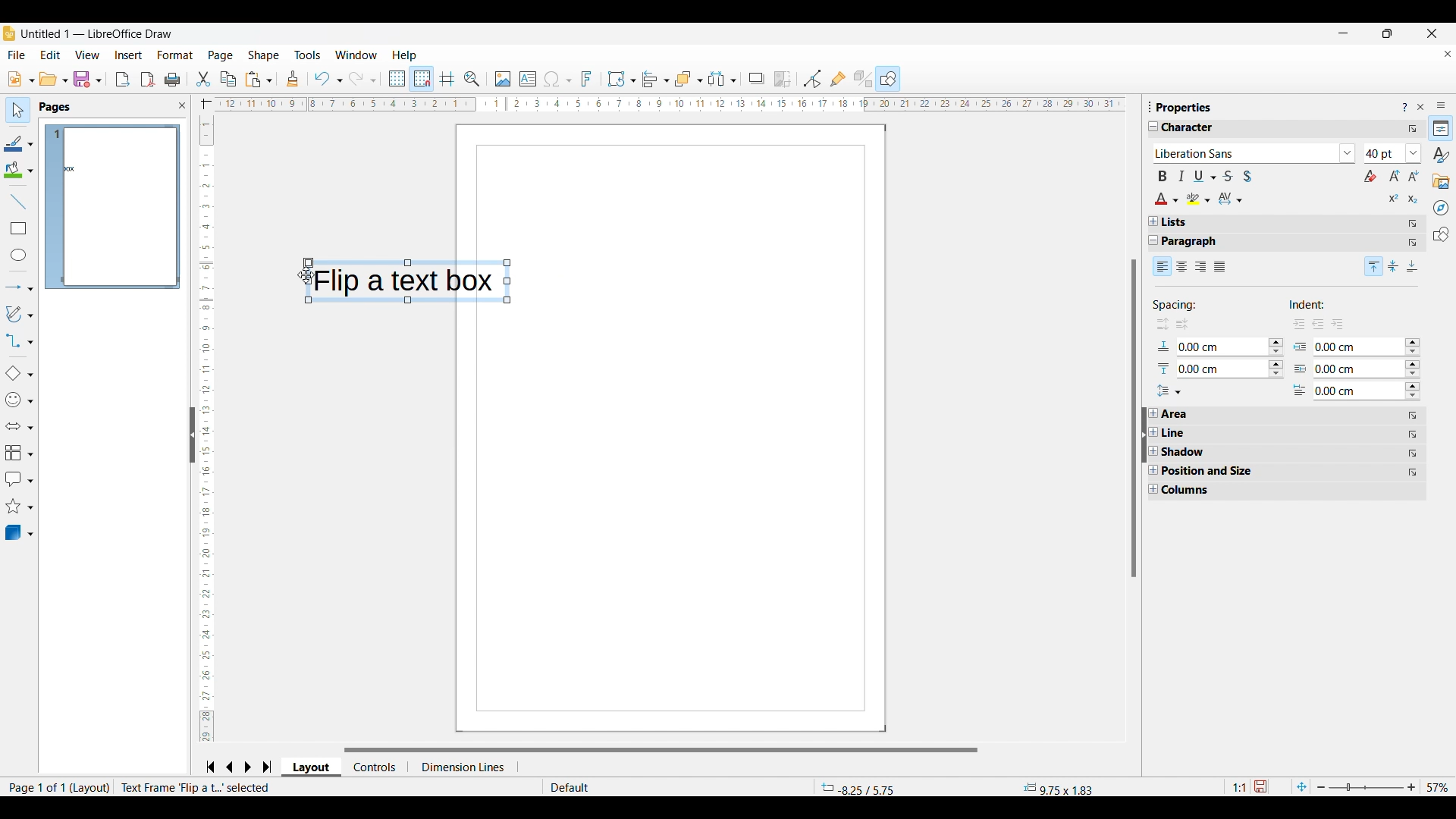  Describe the element at coordinates (20, 314) in the screenshot. I see `Curves and polygon options` at that location.